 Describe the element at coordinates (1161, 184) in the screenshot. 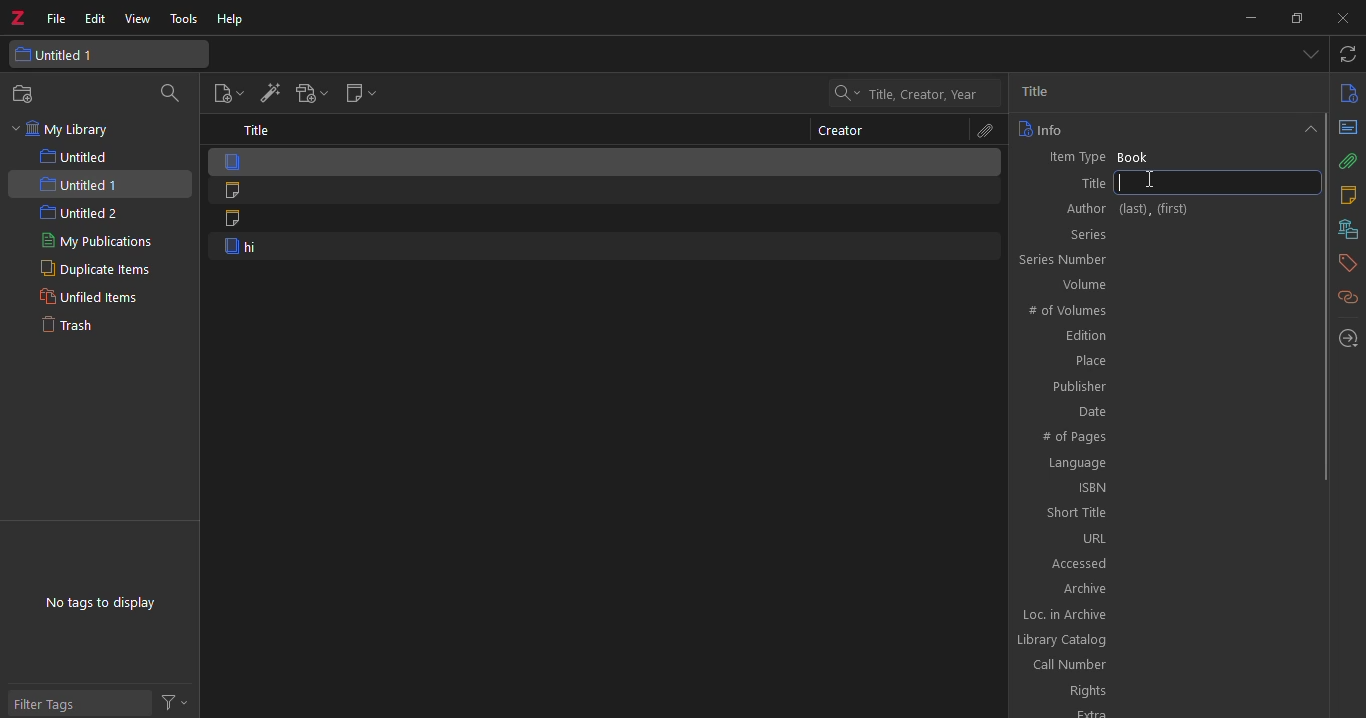

I see `Title` at that location.